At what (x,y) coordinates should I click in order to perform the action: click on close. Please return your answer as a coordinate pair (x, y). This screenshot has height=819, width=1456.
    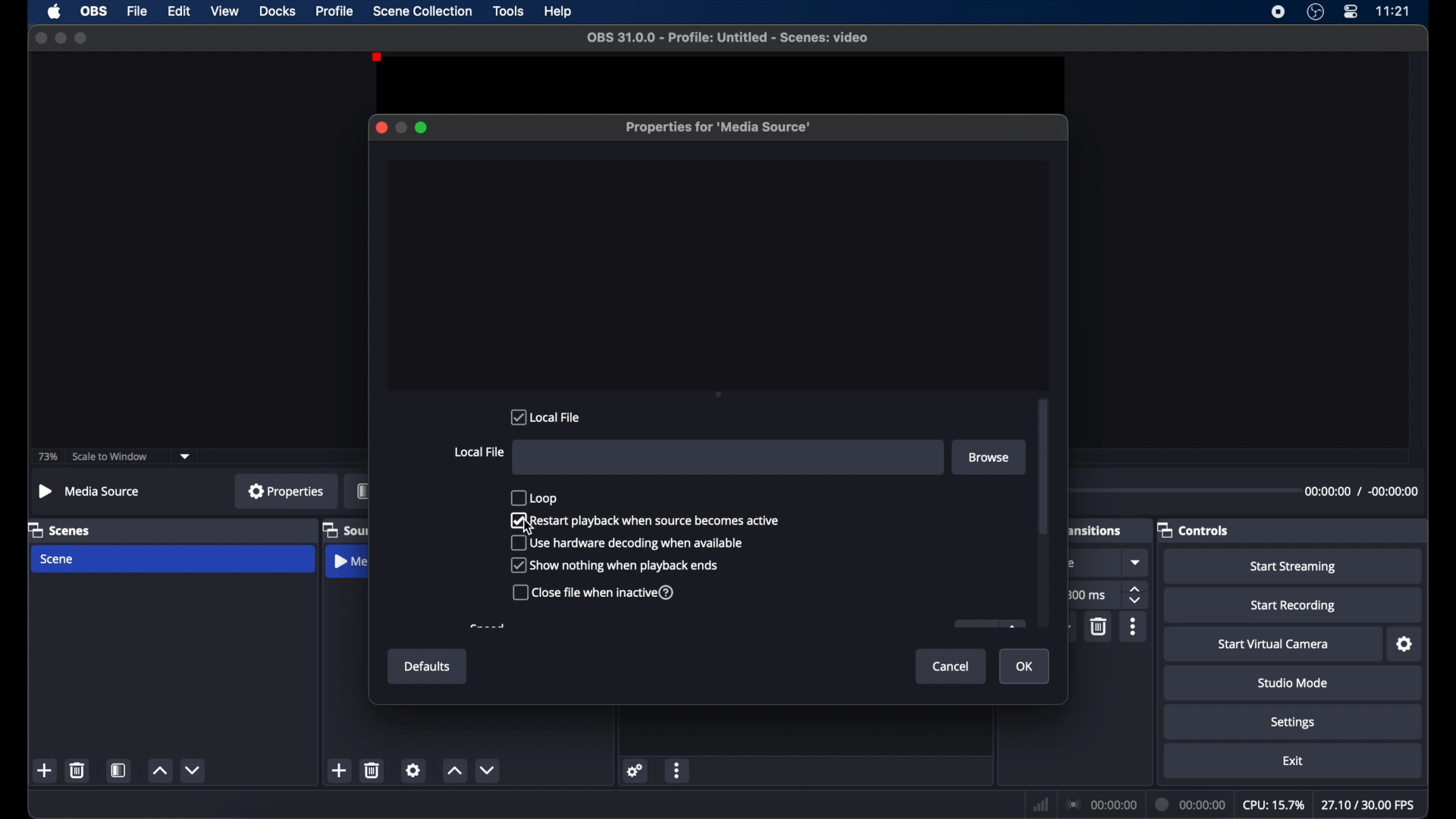
    Looking at the image, I should click on (381, 127).